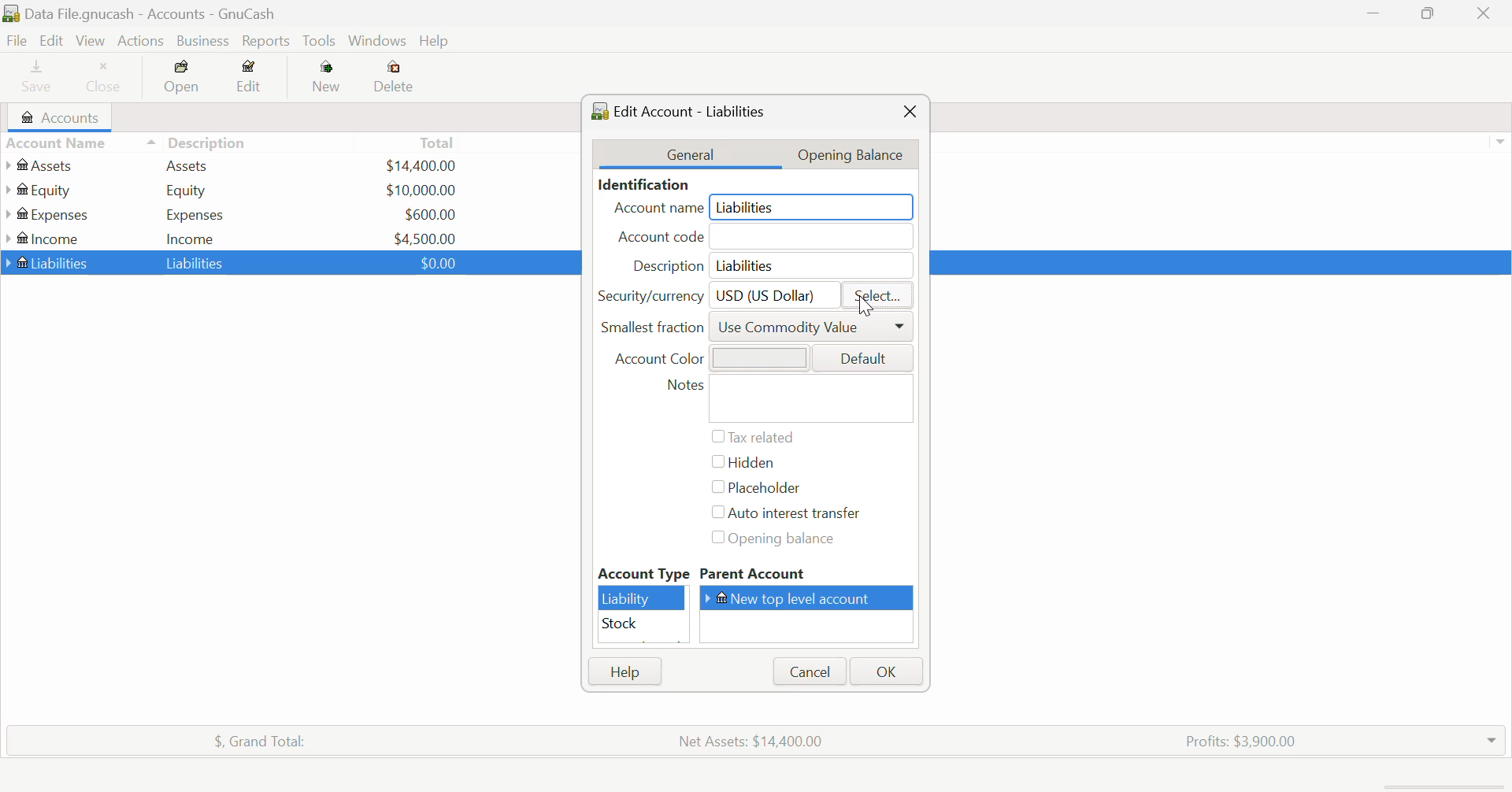  What do you see at coordinates (767, 238) in the screenshot?
I see `Account code` at bounding box center [767, 238].